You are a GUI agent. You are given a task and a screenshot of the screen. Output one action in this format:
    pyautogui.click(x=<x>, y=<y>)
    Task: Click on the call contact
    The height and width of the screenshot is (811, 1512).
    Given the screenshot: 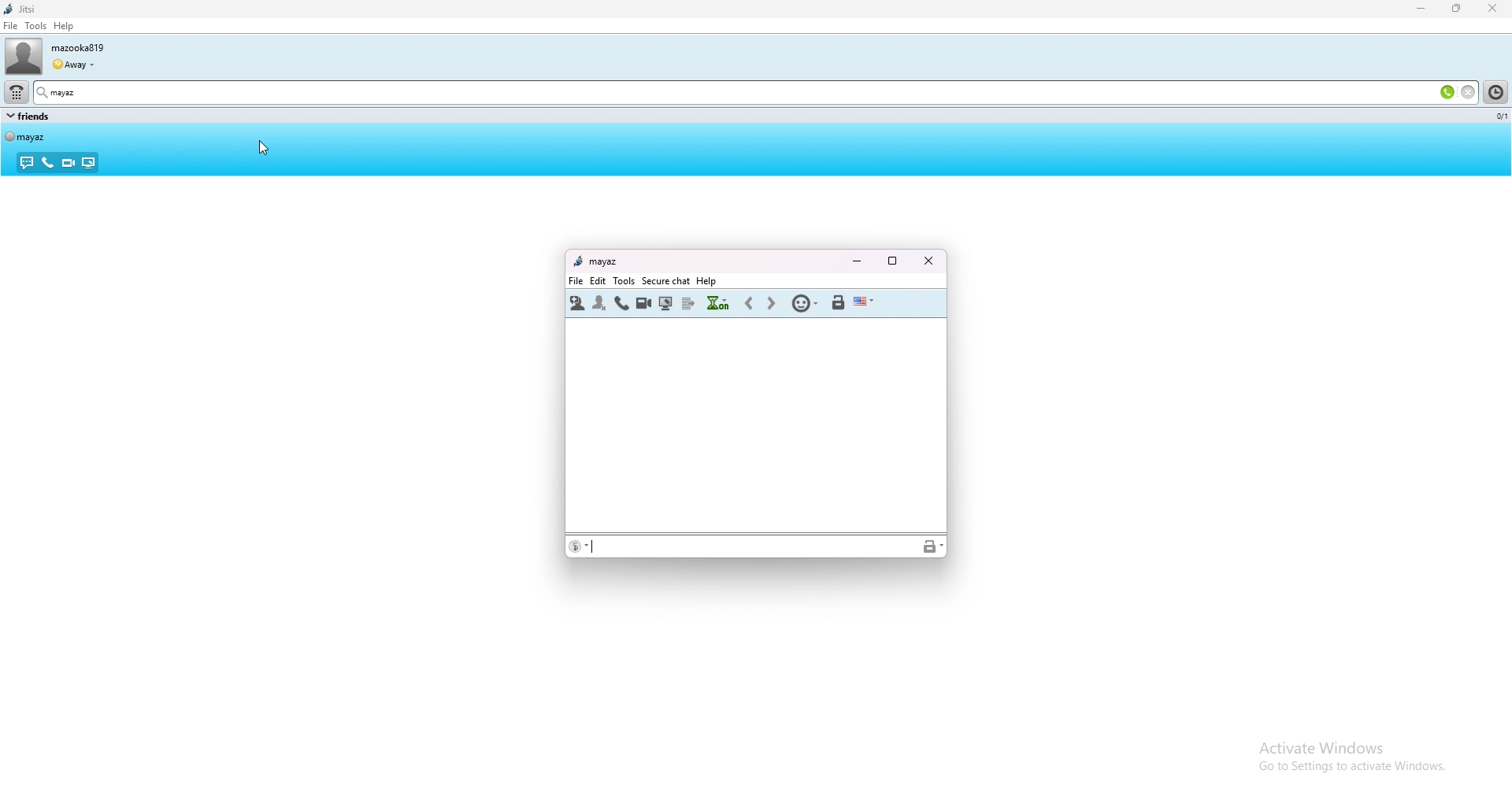 What is the action you would take?
    pyautogui.click(x=621, y=303)
    